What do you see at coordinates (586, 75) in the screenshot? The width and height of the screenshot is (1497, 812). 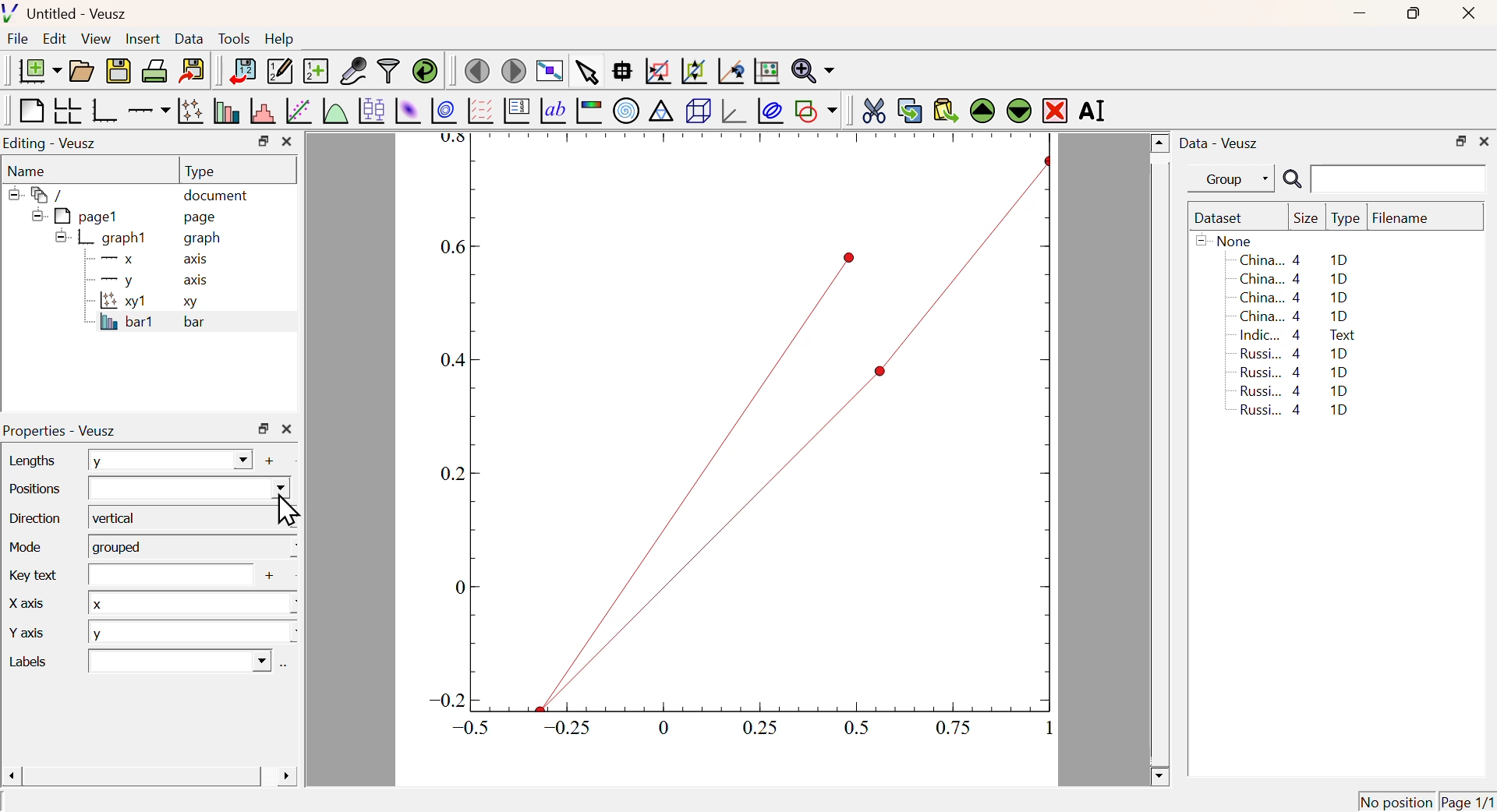 I see `Select items from graph or scroll` at bounding box center [586, 75].